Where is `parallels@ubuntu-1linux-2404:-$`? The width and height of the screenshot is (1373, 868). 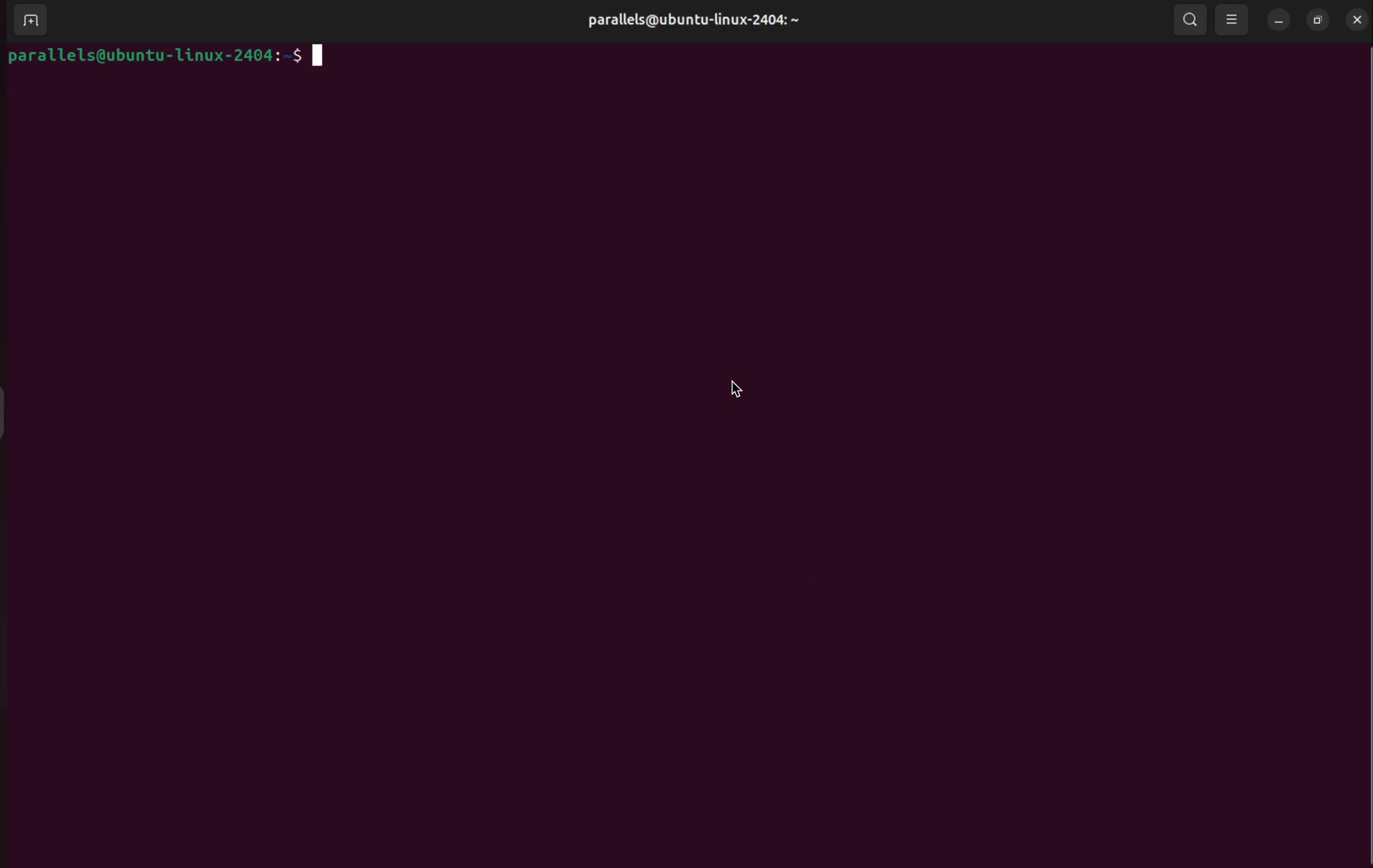 parallels@ubuntu-1linux-2404:-$ is located at coordinates (170, 57).